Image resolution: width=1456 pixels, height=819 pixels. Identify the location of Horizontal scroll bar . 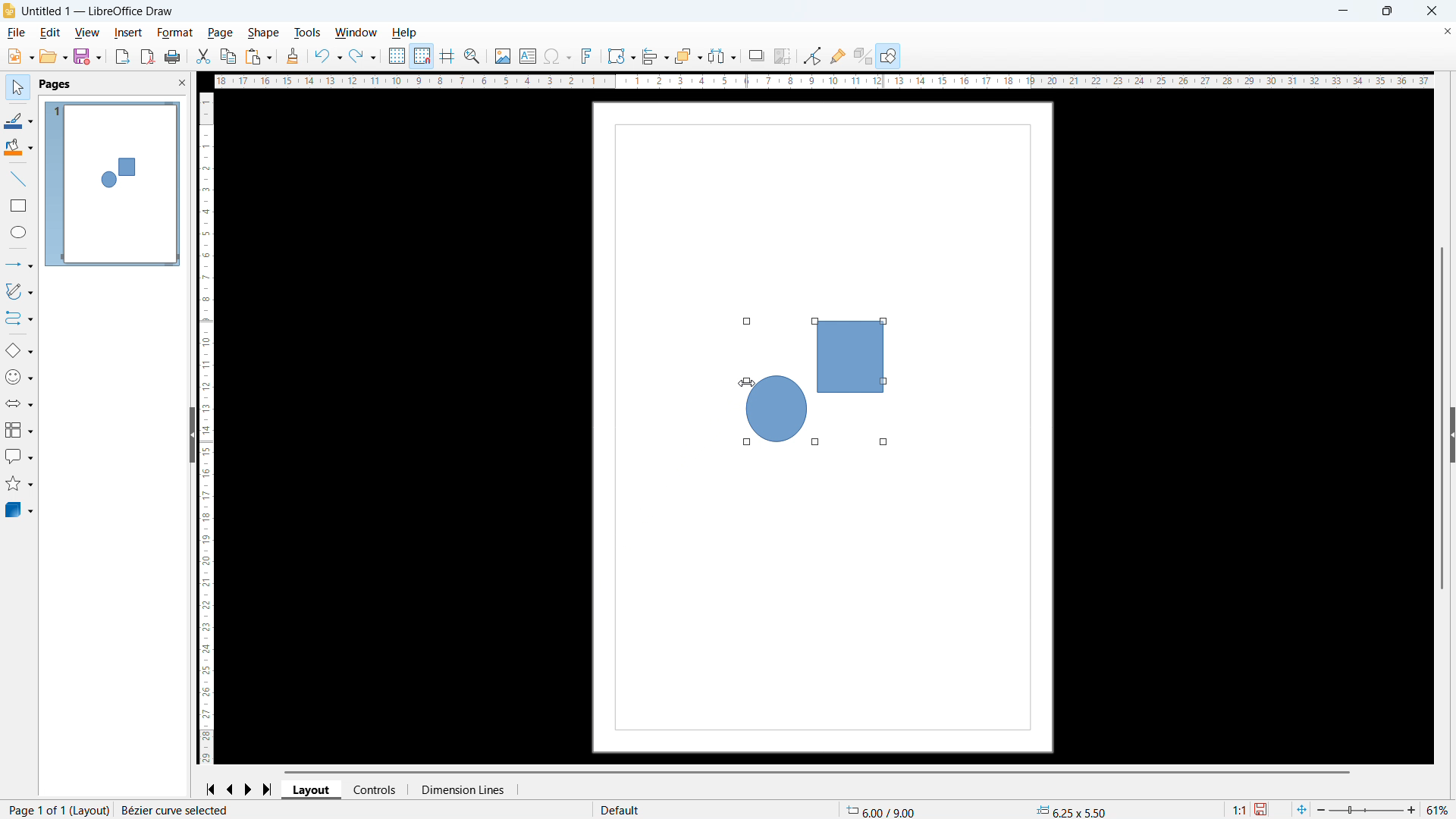
(818, 772).